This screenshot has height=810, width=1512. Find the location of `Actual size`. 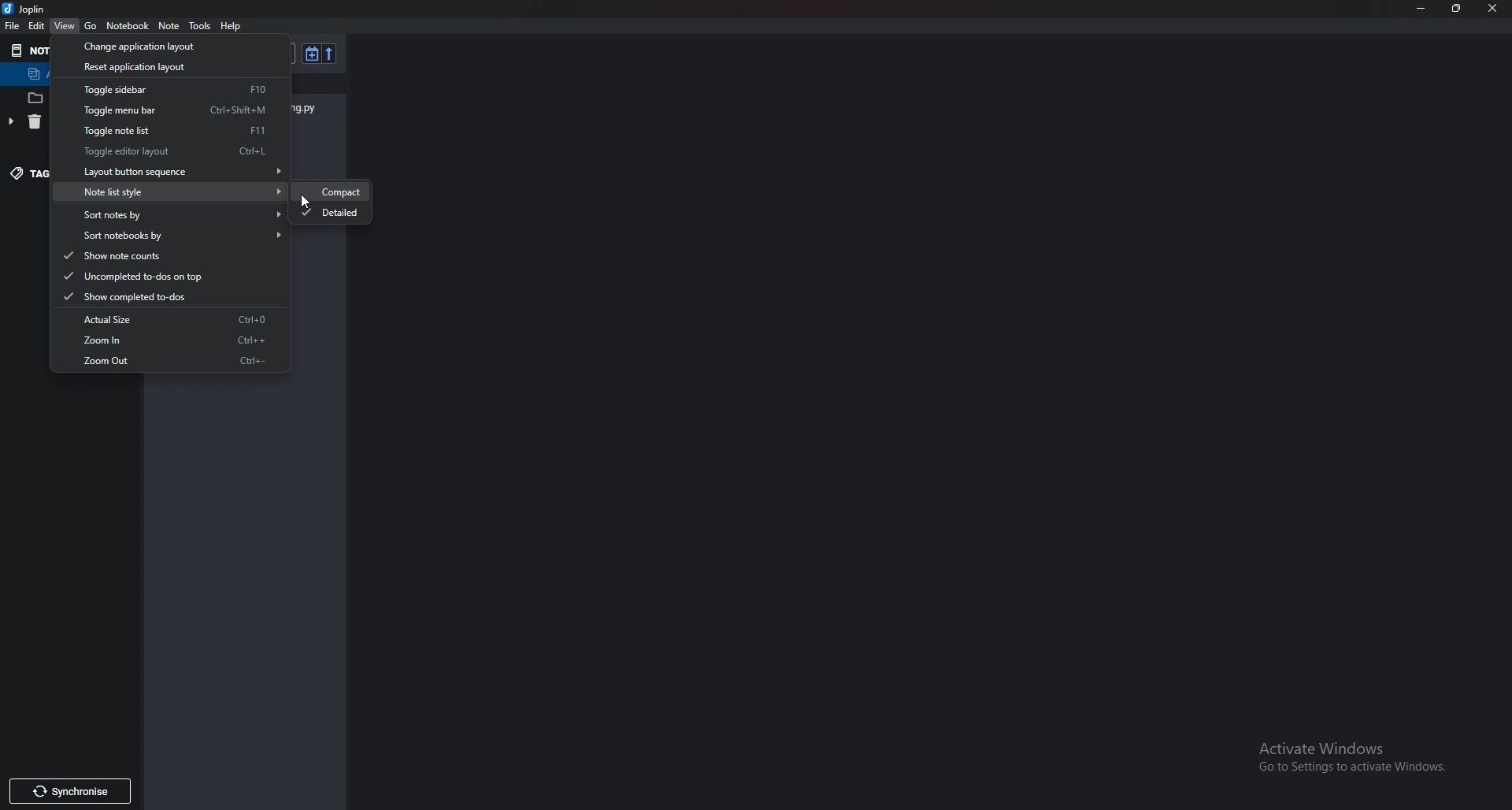

Actual size is located at coordinates (170, 318).